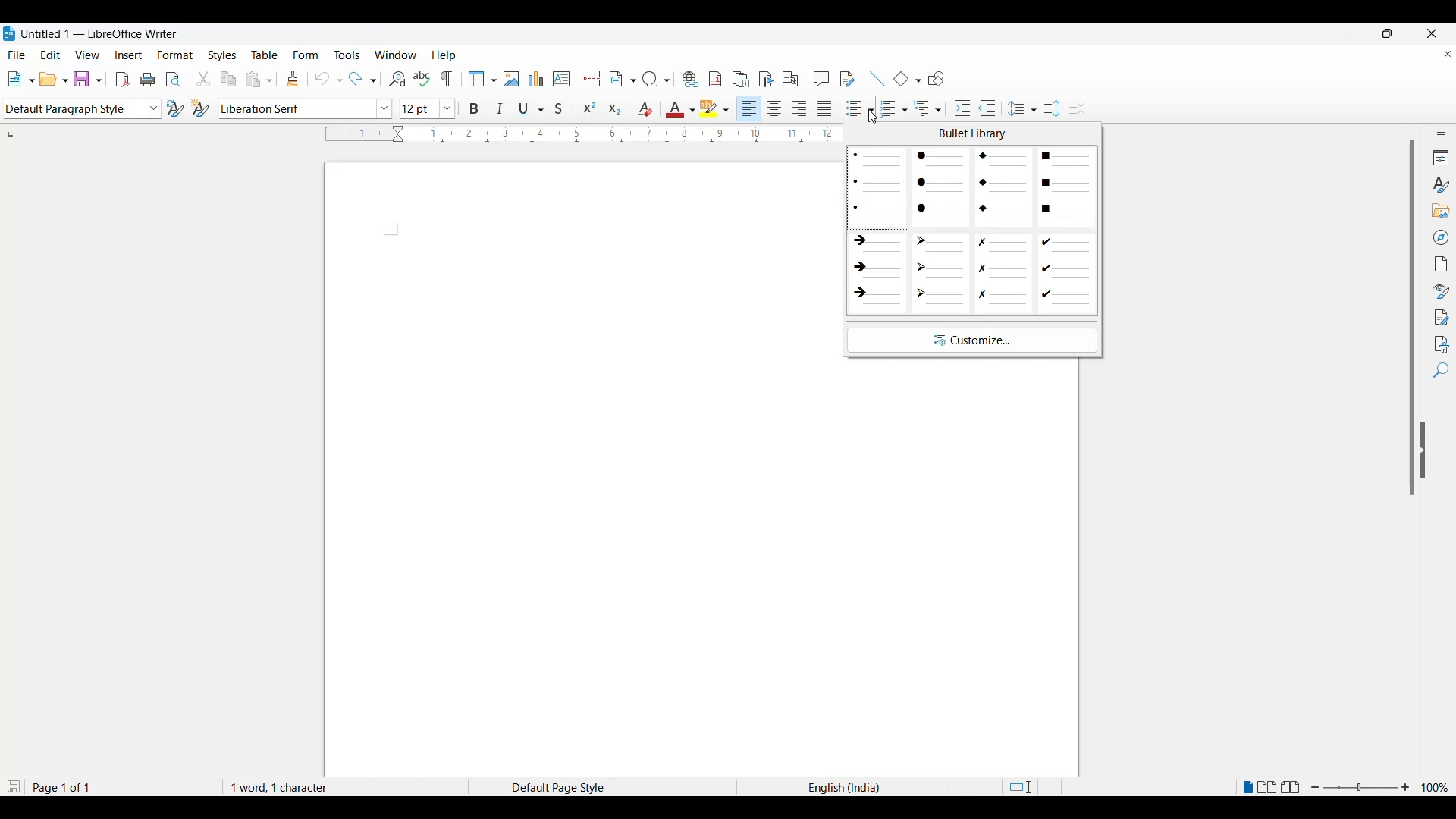 This screenshot has height=819, width=1456. Describe the element at coordinates (261, 80) in the screenshot. I see `paste` at that location.